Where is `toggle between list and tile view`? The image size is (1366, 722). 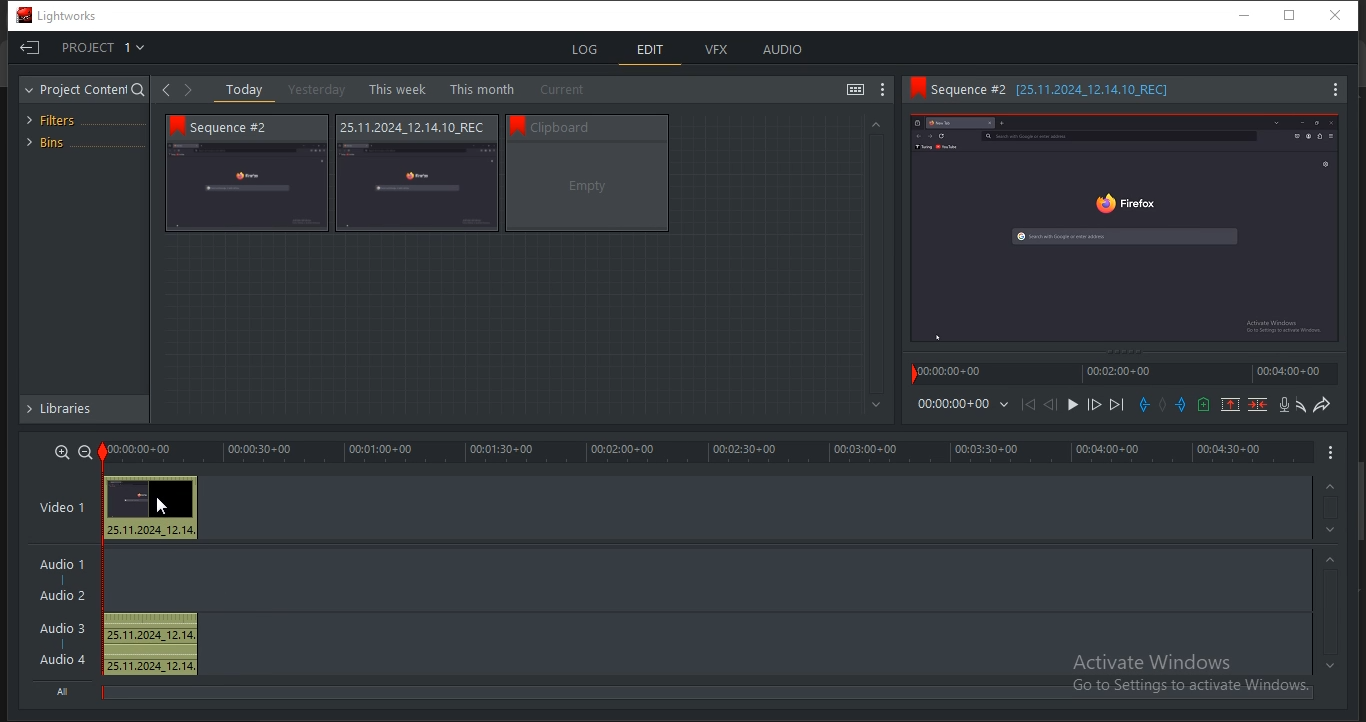
toggle between list and tile view is located at coordinates (856, 89).